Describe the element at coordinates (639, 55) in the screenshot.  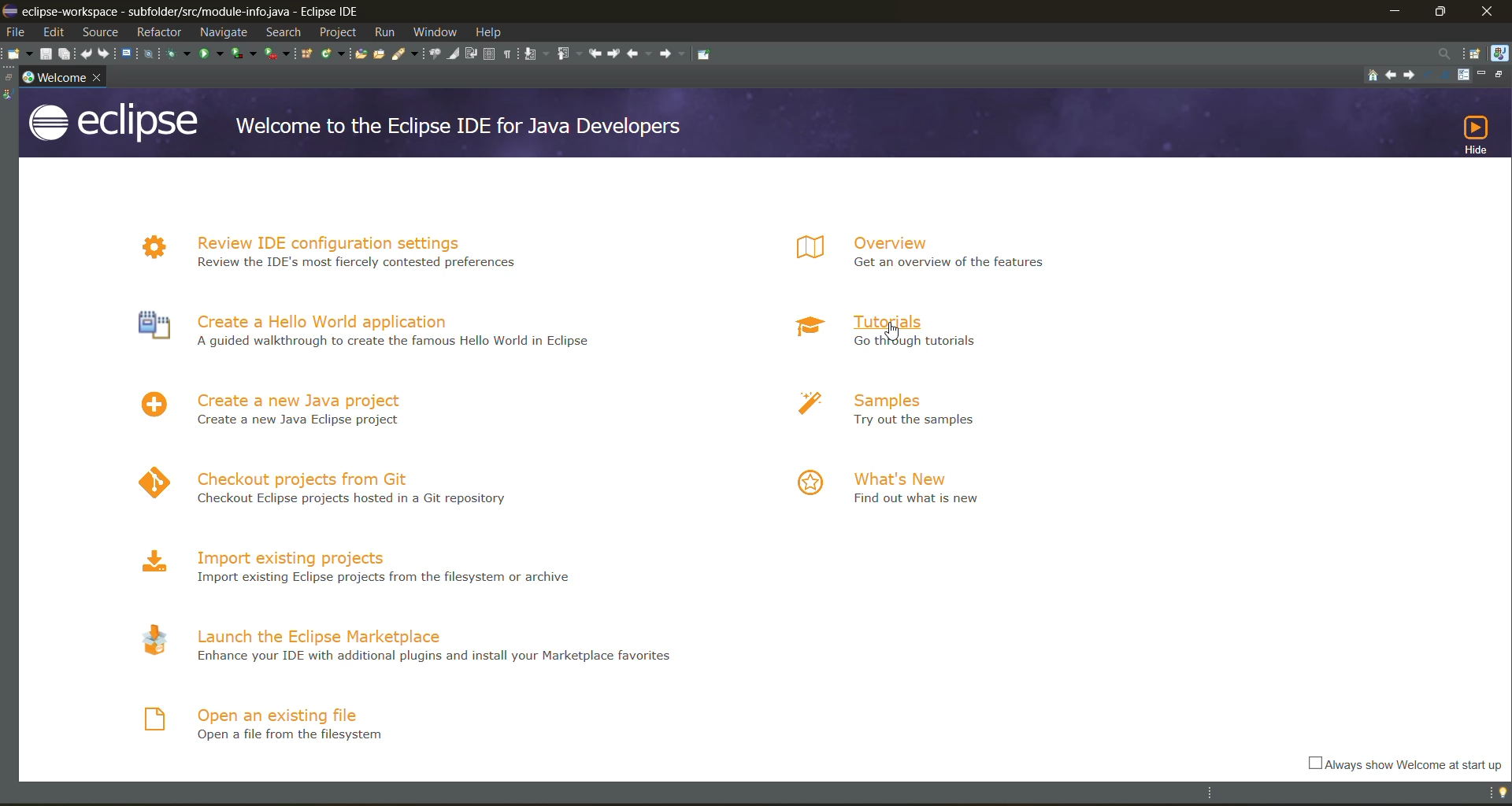
I see `back` at that location.